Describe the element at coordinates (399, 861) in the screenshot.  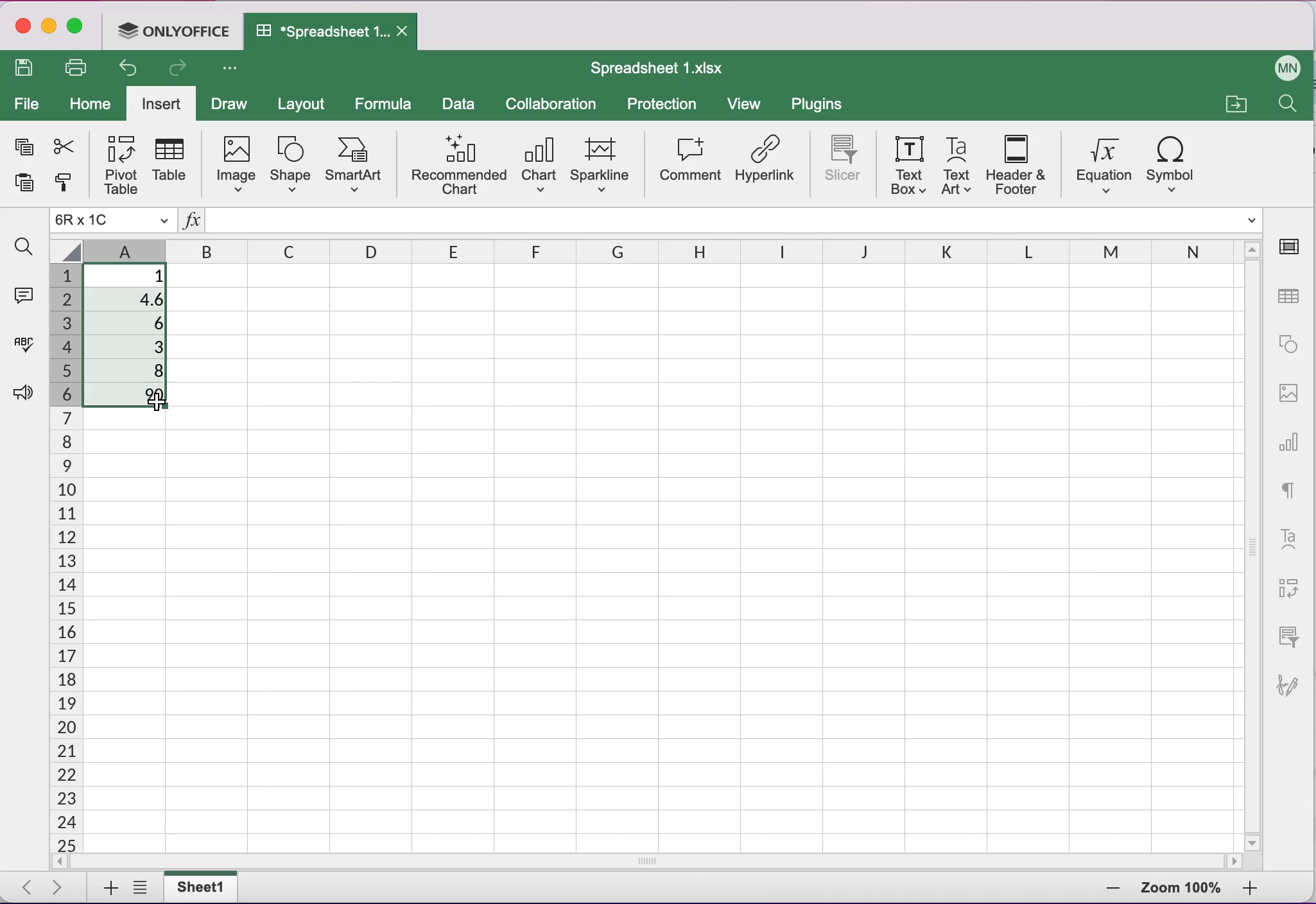
I see `horizontal scrollbar` at that location.